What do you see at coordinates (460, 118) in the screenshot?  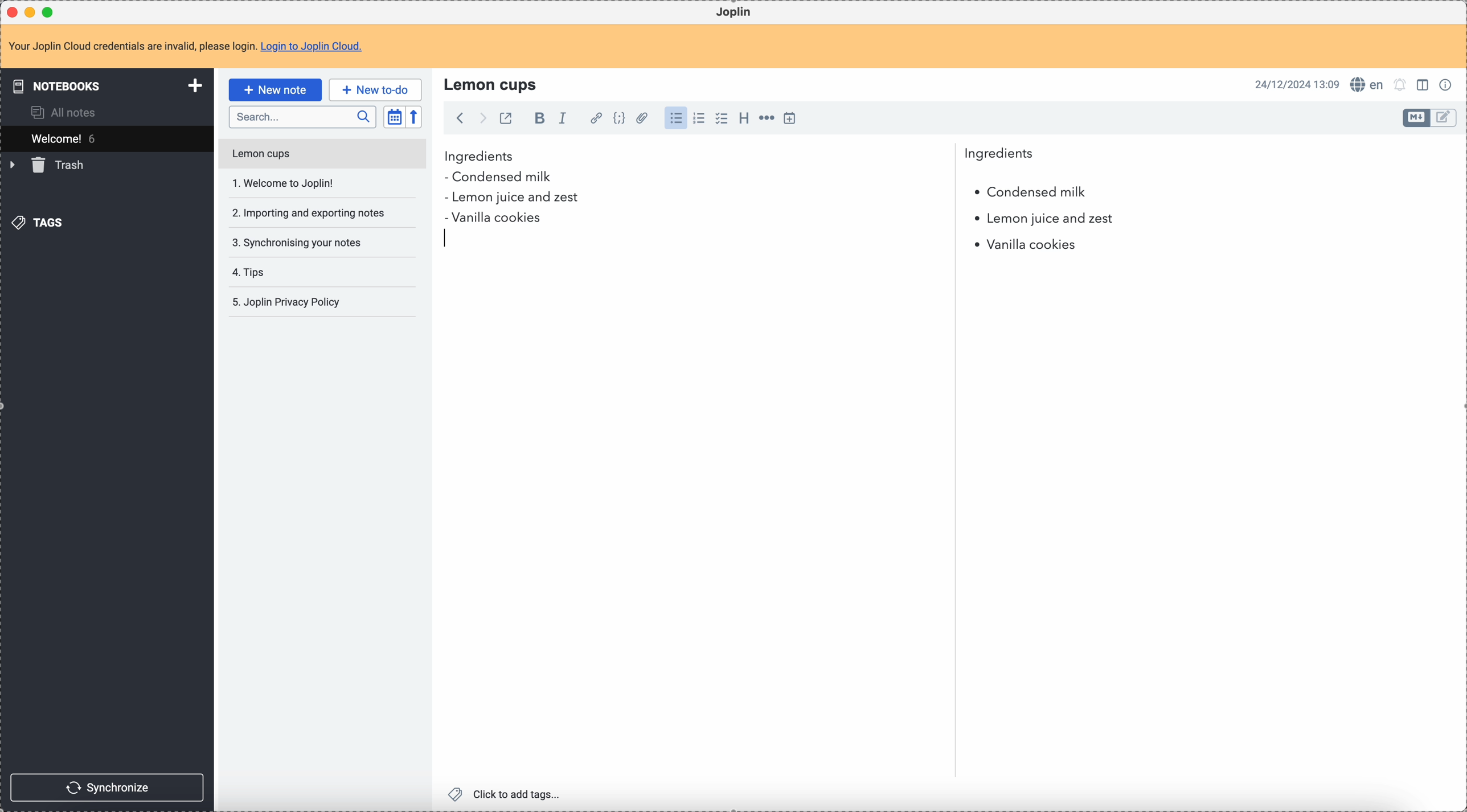 I see `back` at bounding box center [460, 118].